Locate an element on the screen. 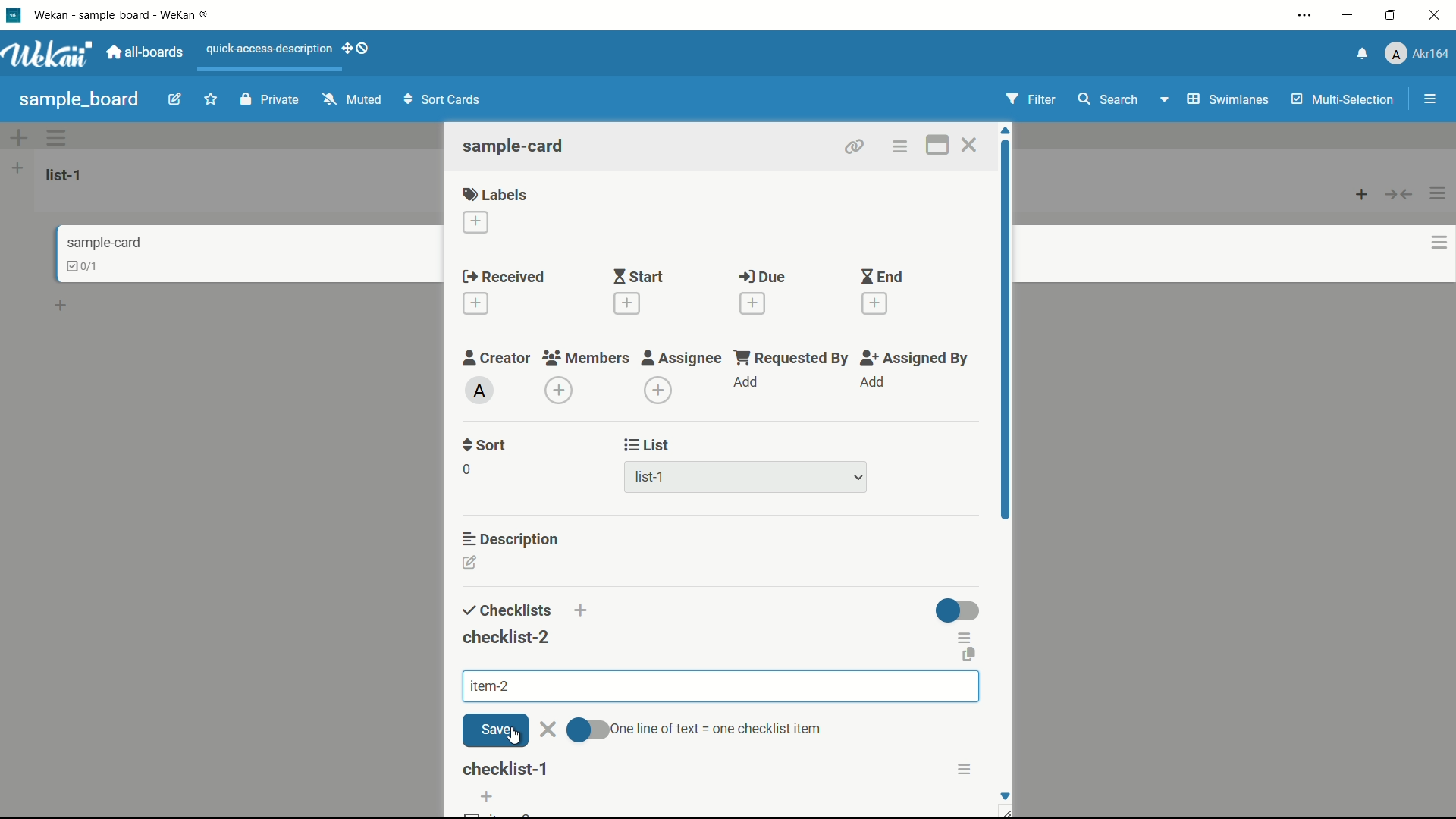 The image size is (1456, 819). swimlanes is located at coordinates (1226, 99).